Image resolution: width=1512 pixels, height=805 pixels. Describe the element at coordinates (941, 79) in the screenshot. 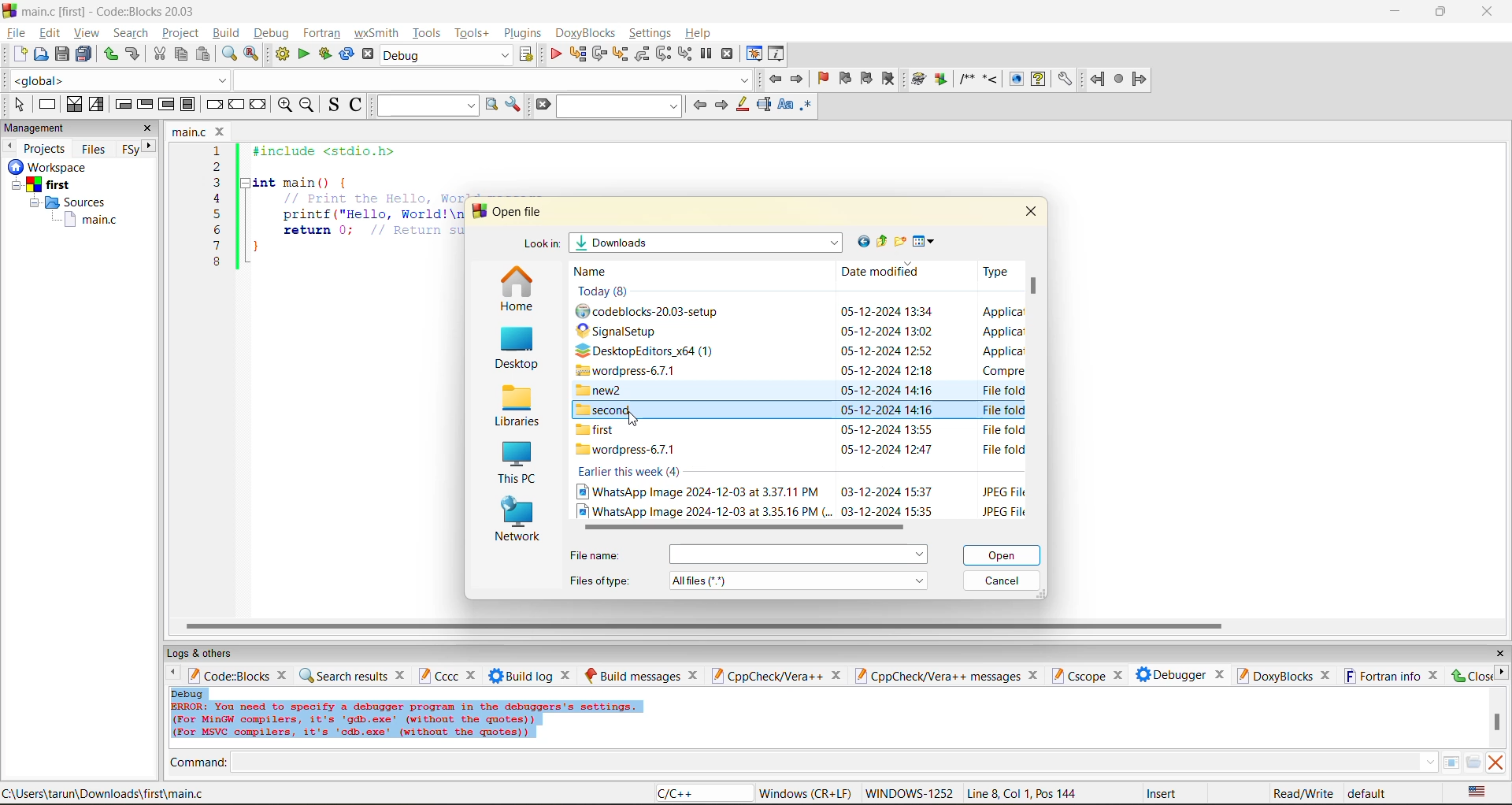

I see `Run` at that location.